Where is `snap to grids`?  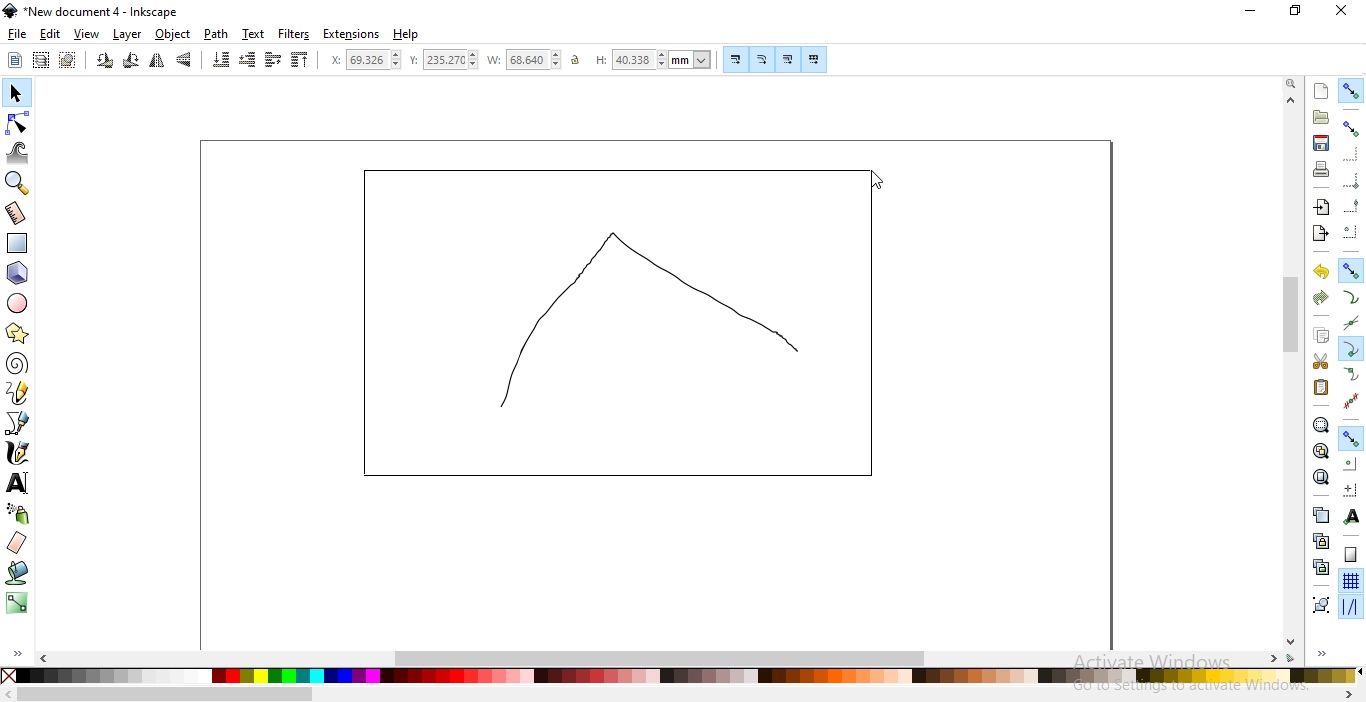
snap to grids is located at coordinates (1350, 580).